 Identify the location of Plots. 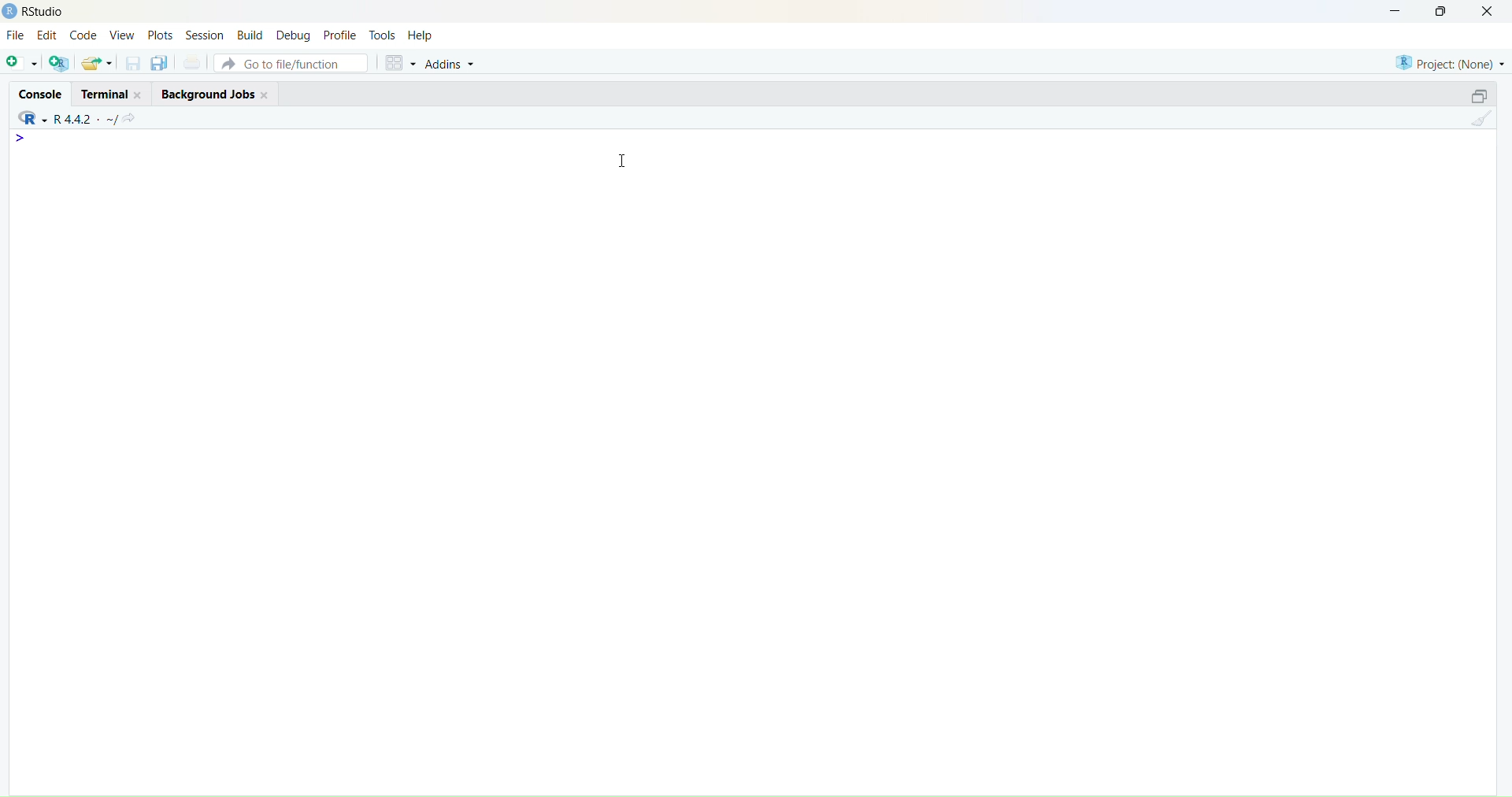
(161, 35).